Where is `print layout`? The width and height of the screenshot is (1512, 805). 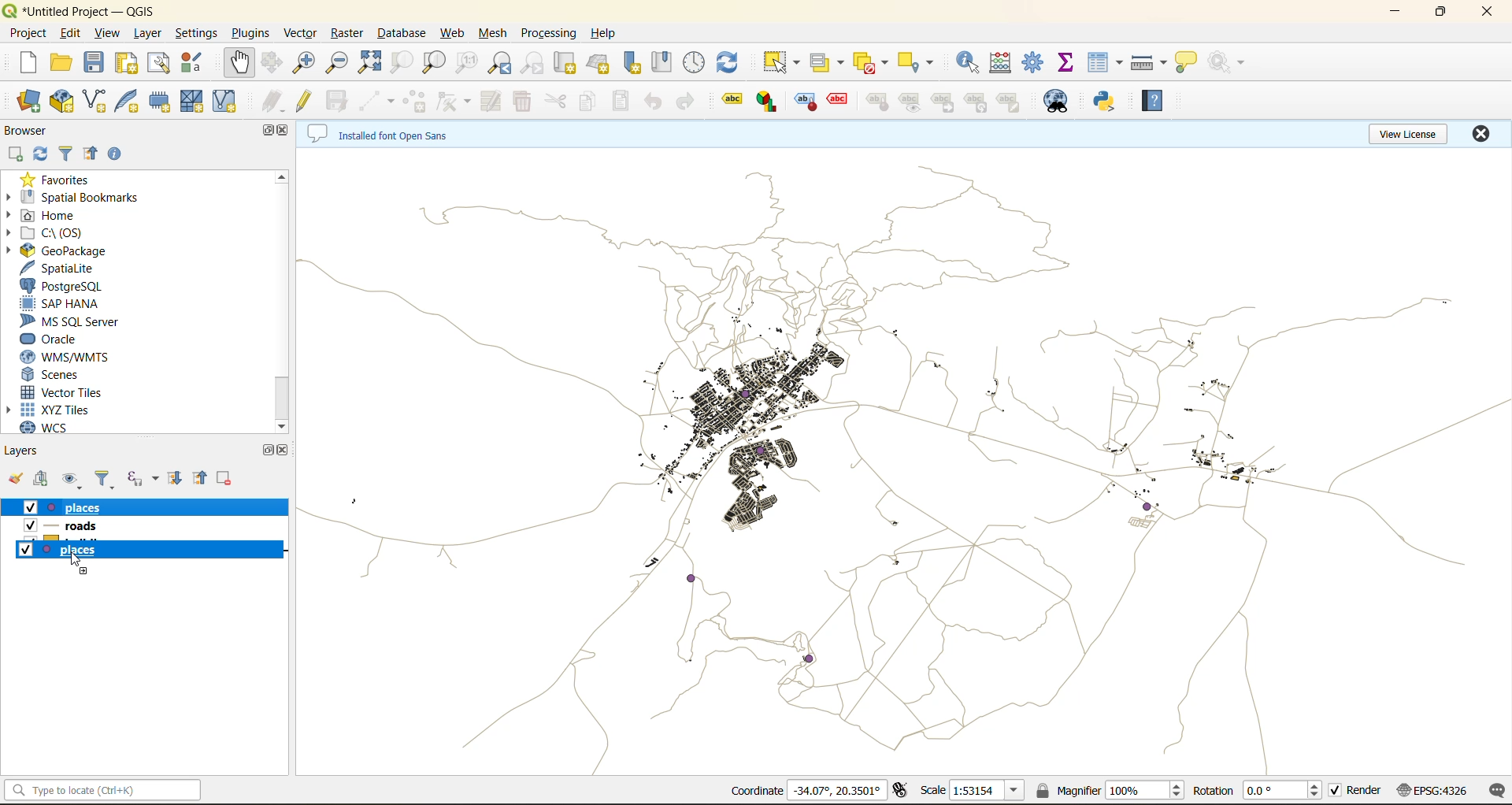
print layout is located at coordinates (123, 63).